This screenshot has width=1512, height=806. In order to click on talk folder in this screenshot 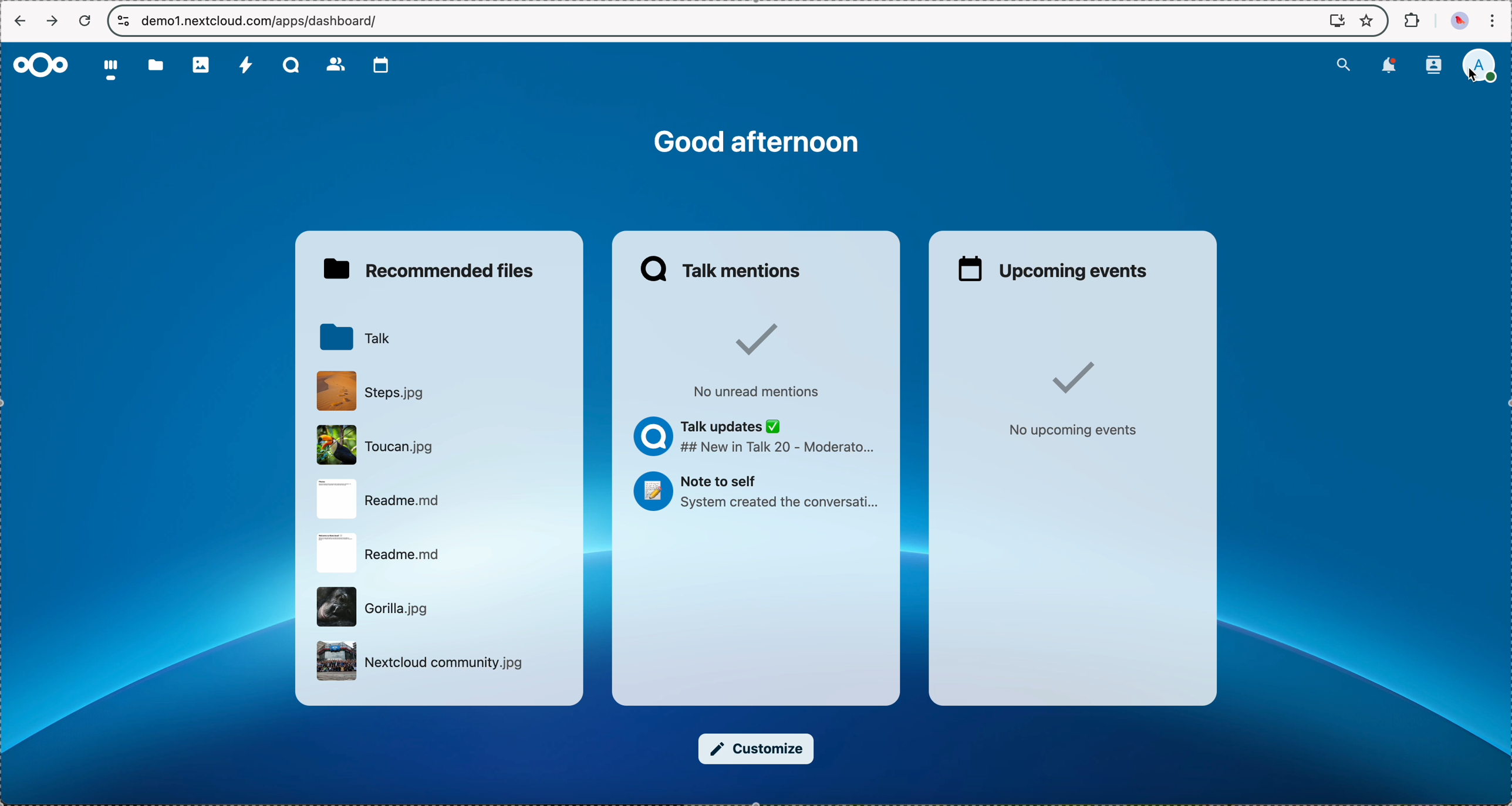, I will do `click(355, 337)`.